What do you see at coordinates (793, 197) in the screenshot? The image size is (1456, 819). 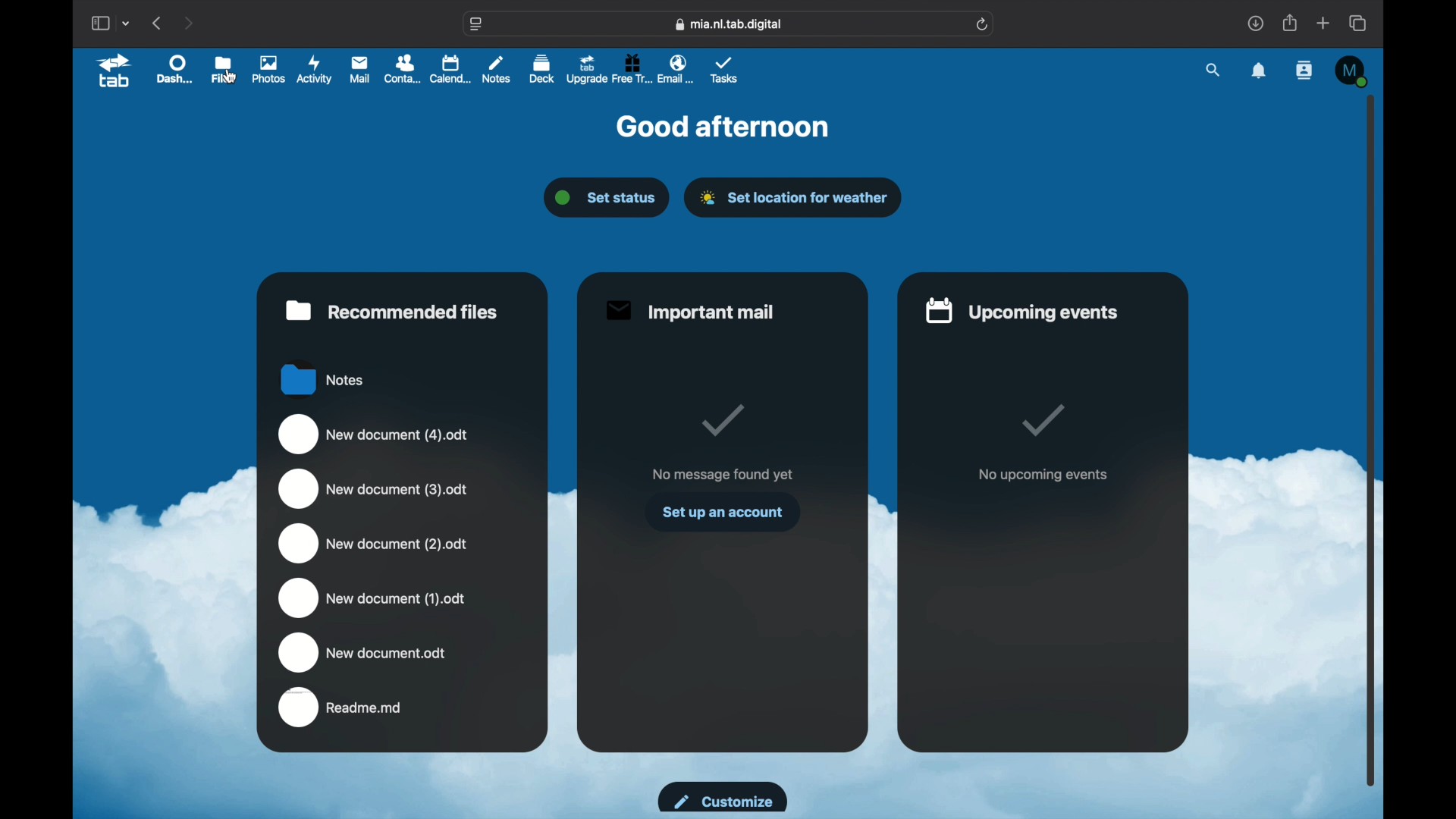 I see `set location for weather` at bounding box center [793, 197].